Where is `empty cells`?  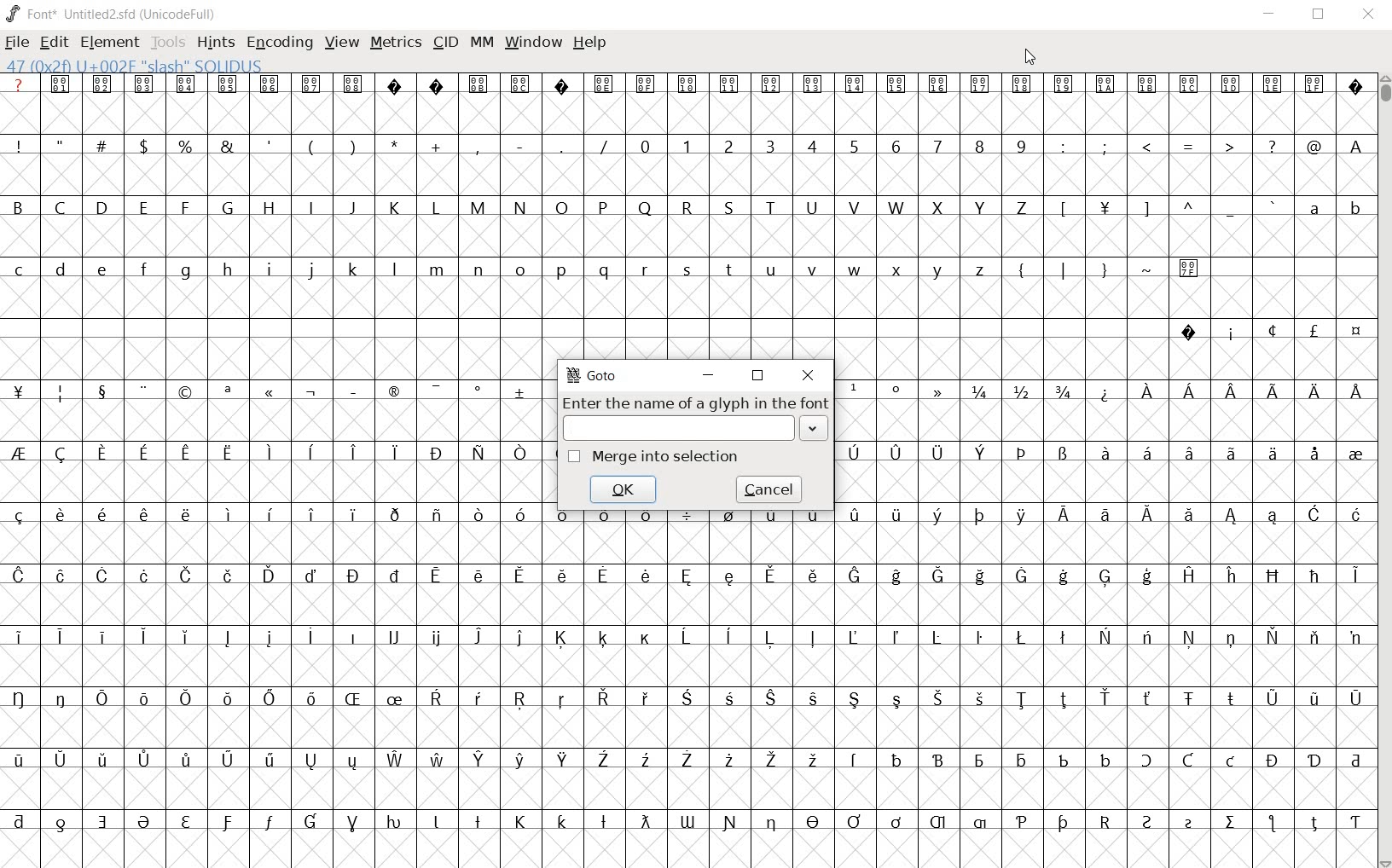
empty cells is located at coordinates (686, 297).